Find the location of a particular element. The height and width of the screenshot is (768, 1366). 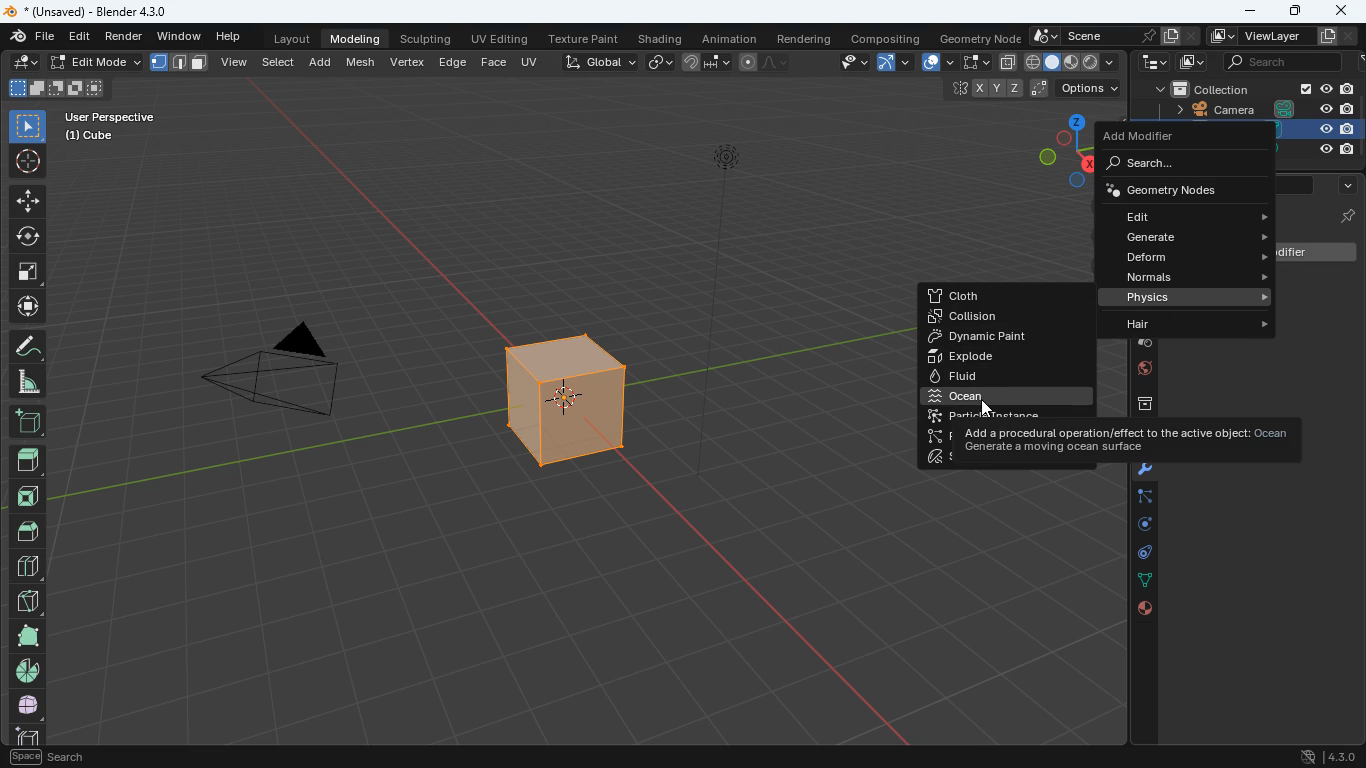

cursor is located at coordinates (980, 412).